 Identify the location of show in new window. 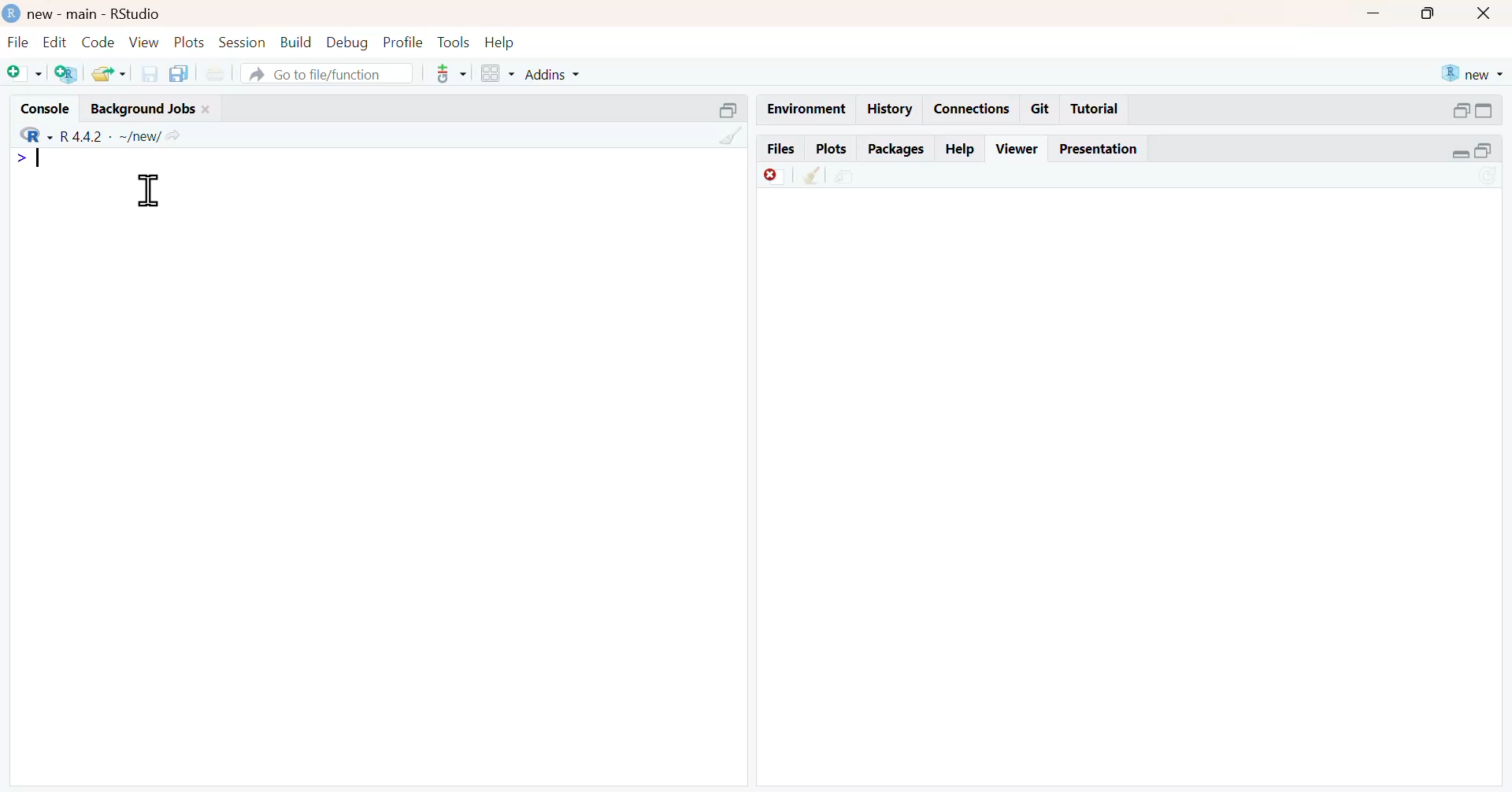
(847, 176).